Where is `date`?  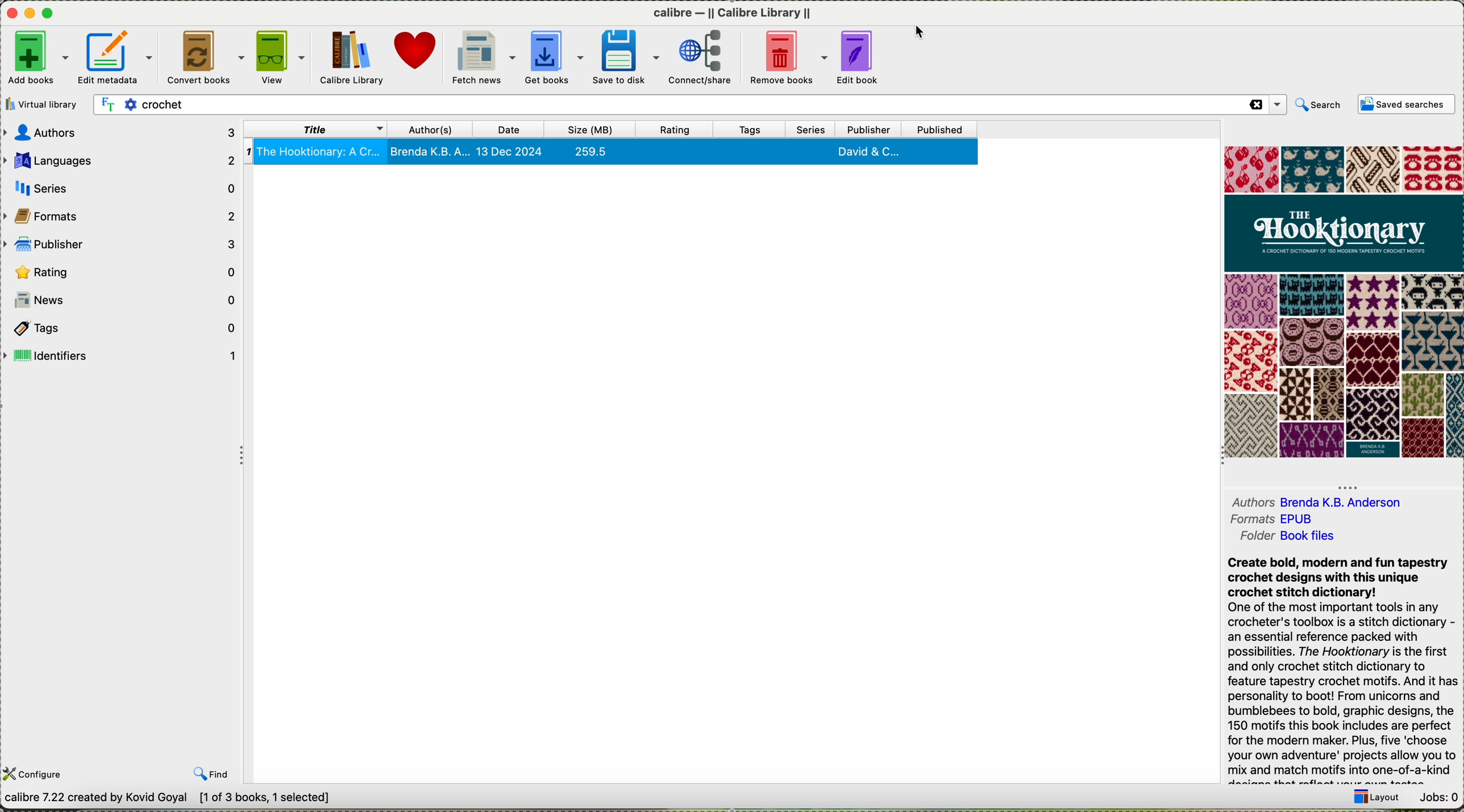
date is located at coordinates (516, 128).